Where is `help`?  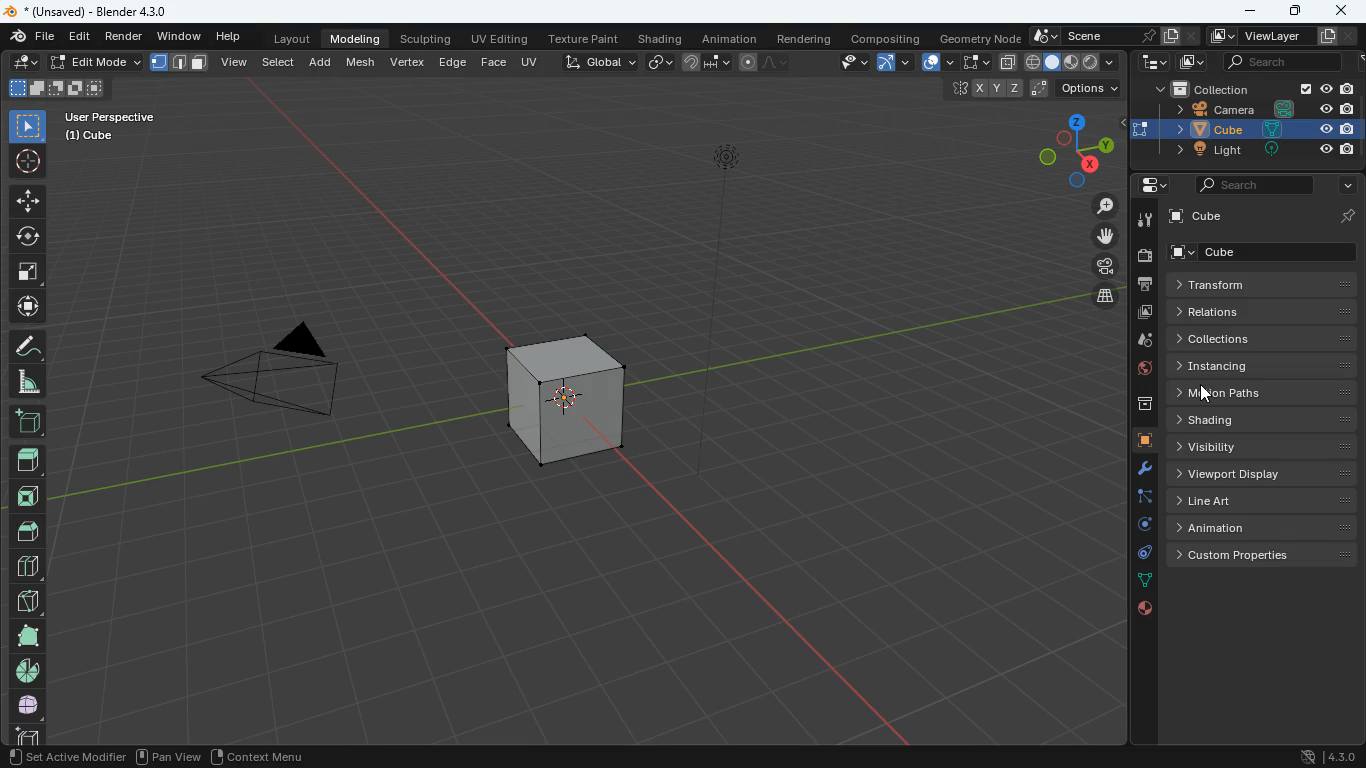 help is located at coordinates (231, 38).